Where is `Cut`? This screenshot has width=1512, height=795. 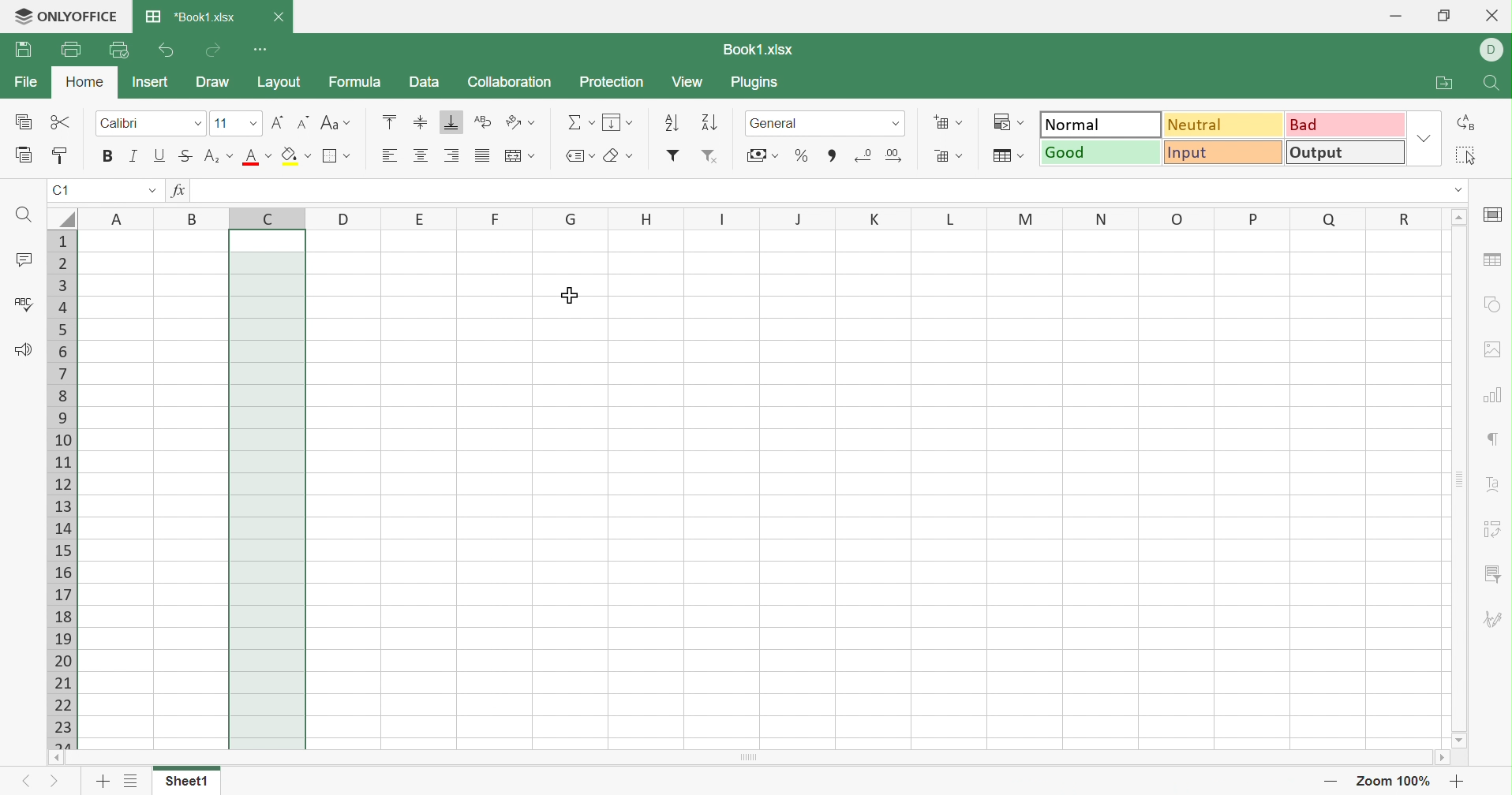
Cut is located at coordinates (61, 123).